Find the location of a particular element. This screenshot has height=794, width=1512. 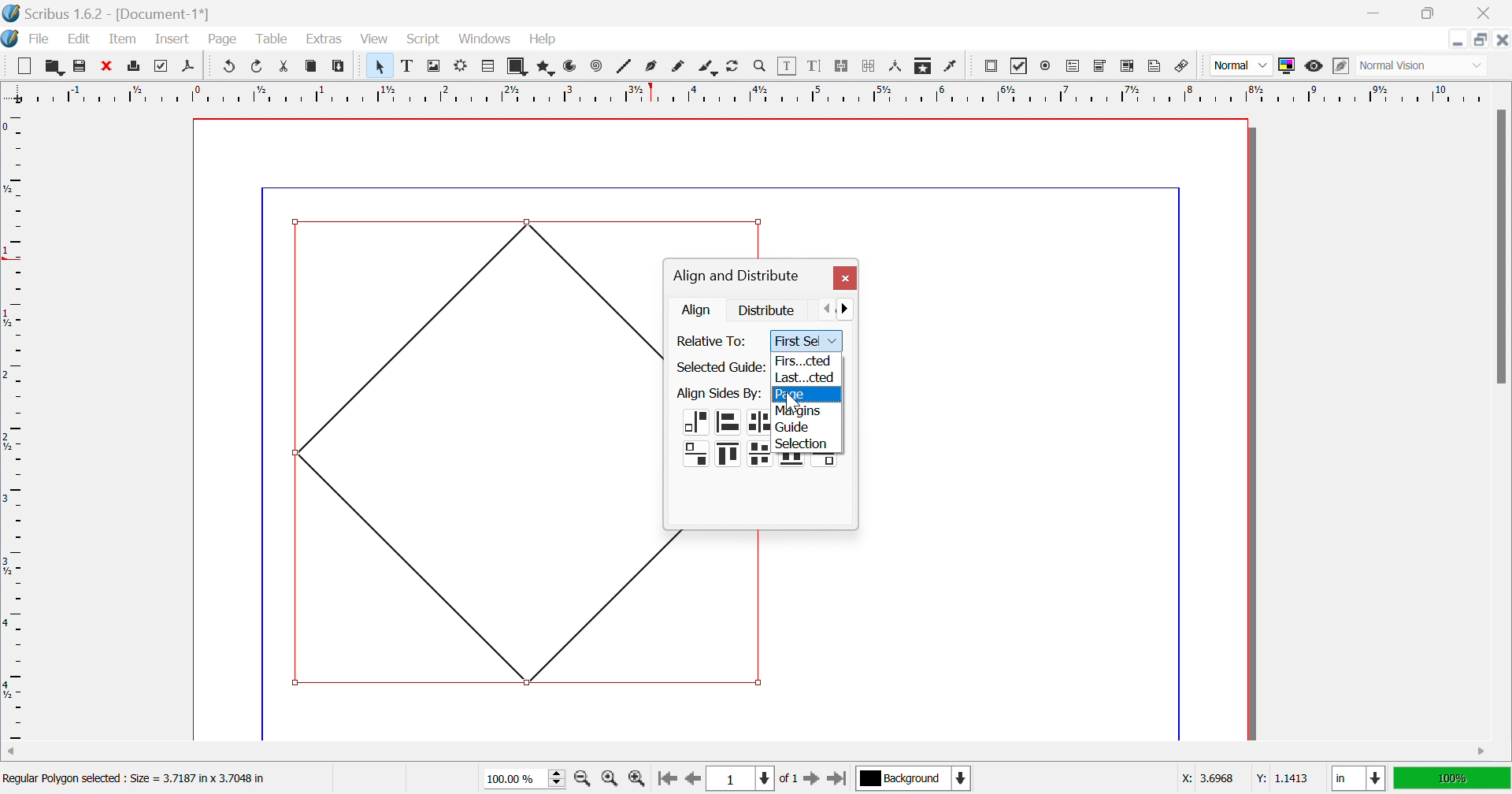

Shape is located at coordinates (475, 448).